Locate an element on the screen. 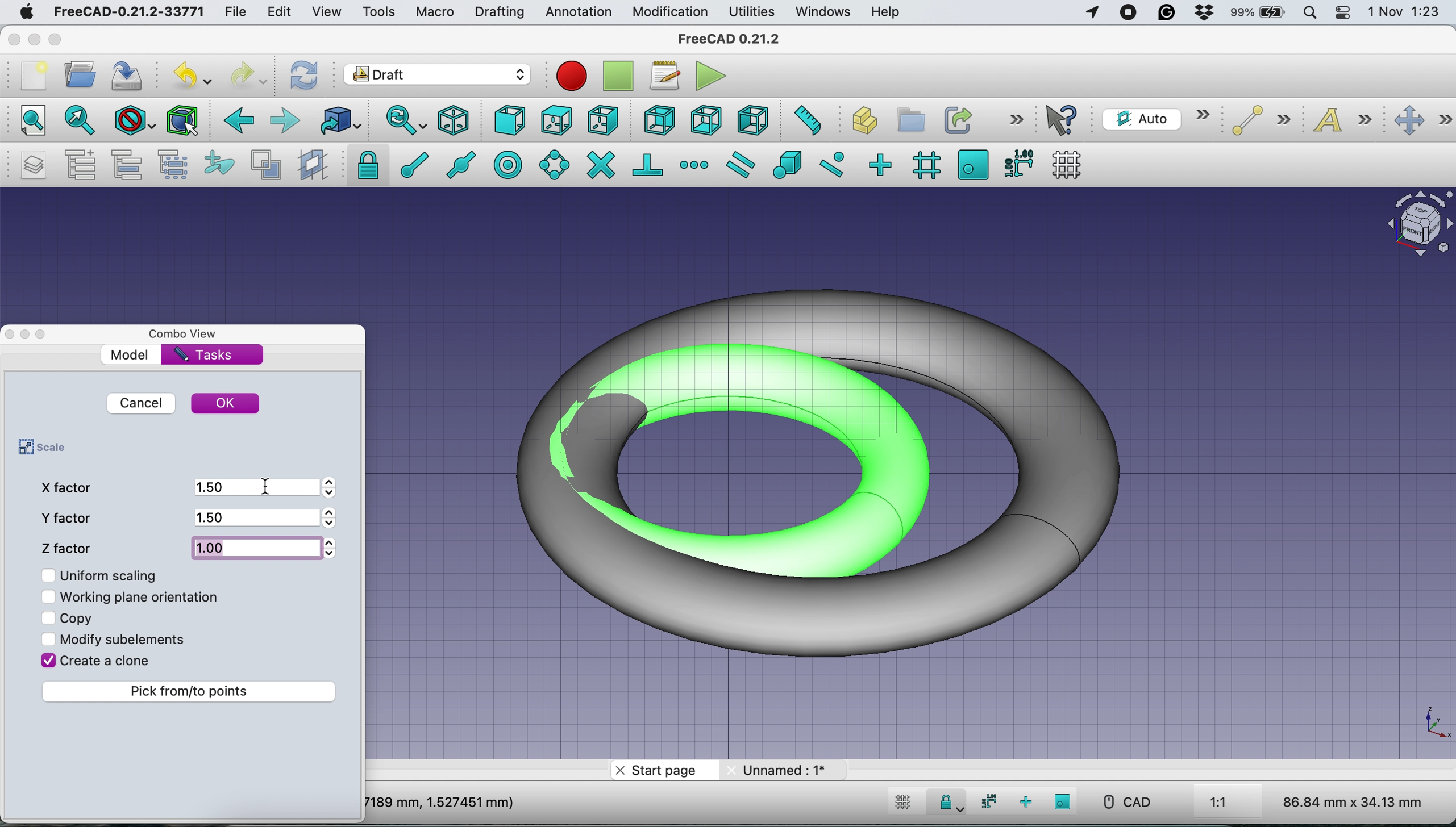 The width and height of the screenshot is (1456, 827). working plane orientation is located at coordinates (145, 596).